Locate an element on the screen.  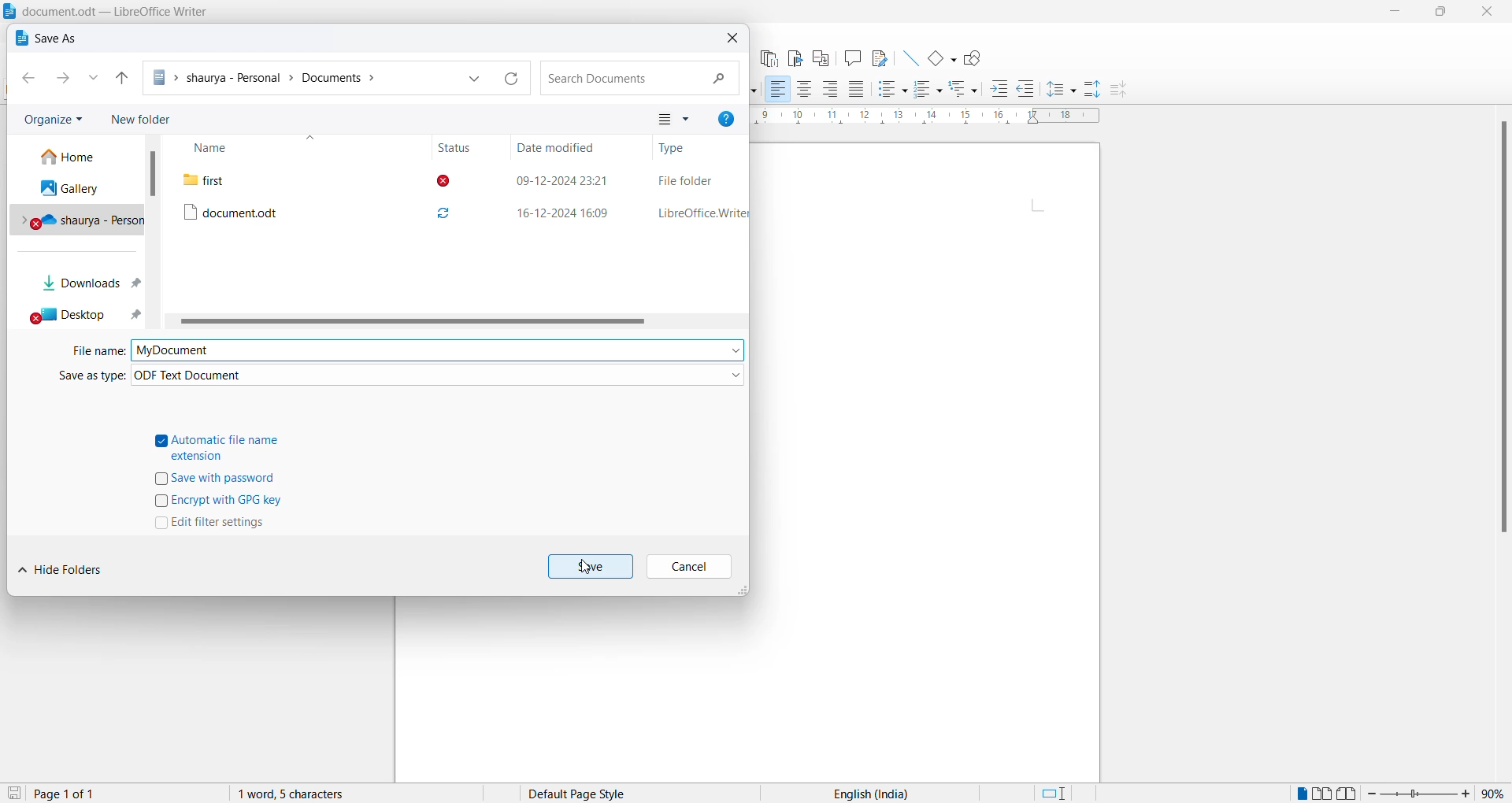
Type is located at coordinates (676, 149).